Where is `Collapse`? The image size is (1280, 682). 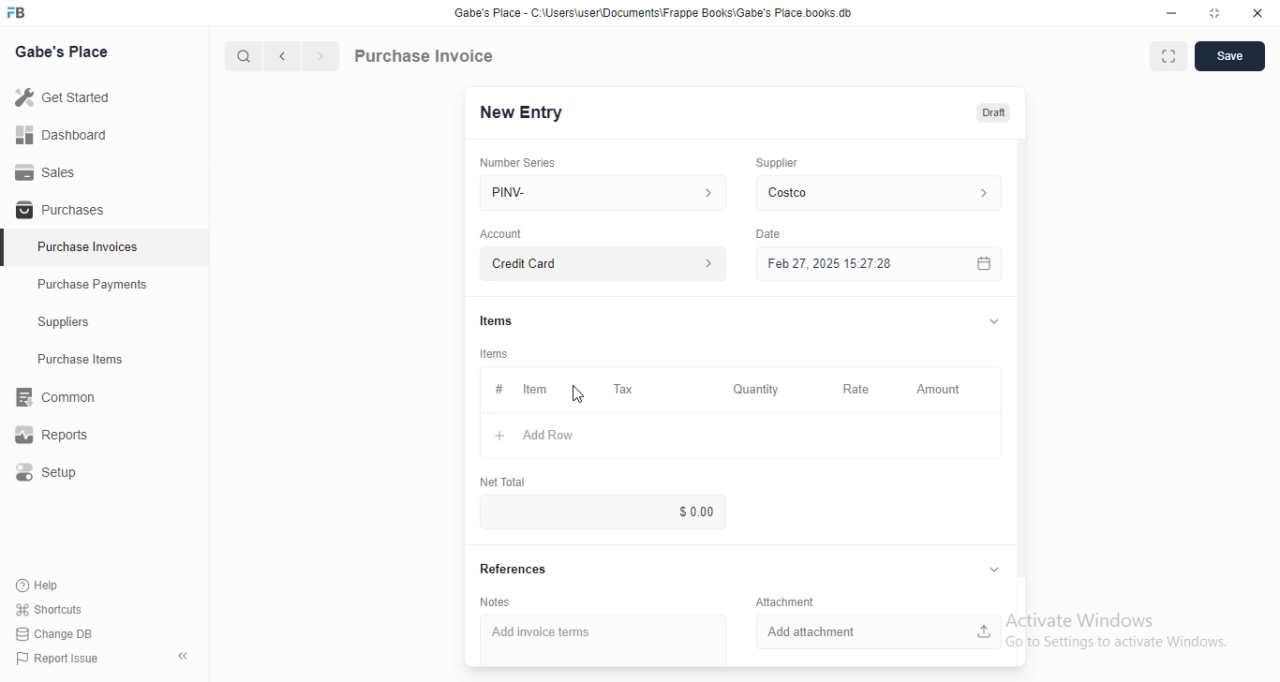
Collapse is located at coordinates (994, 321).